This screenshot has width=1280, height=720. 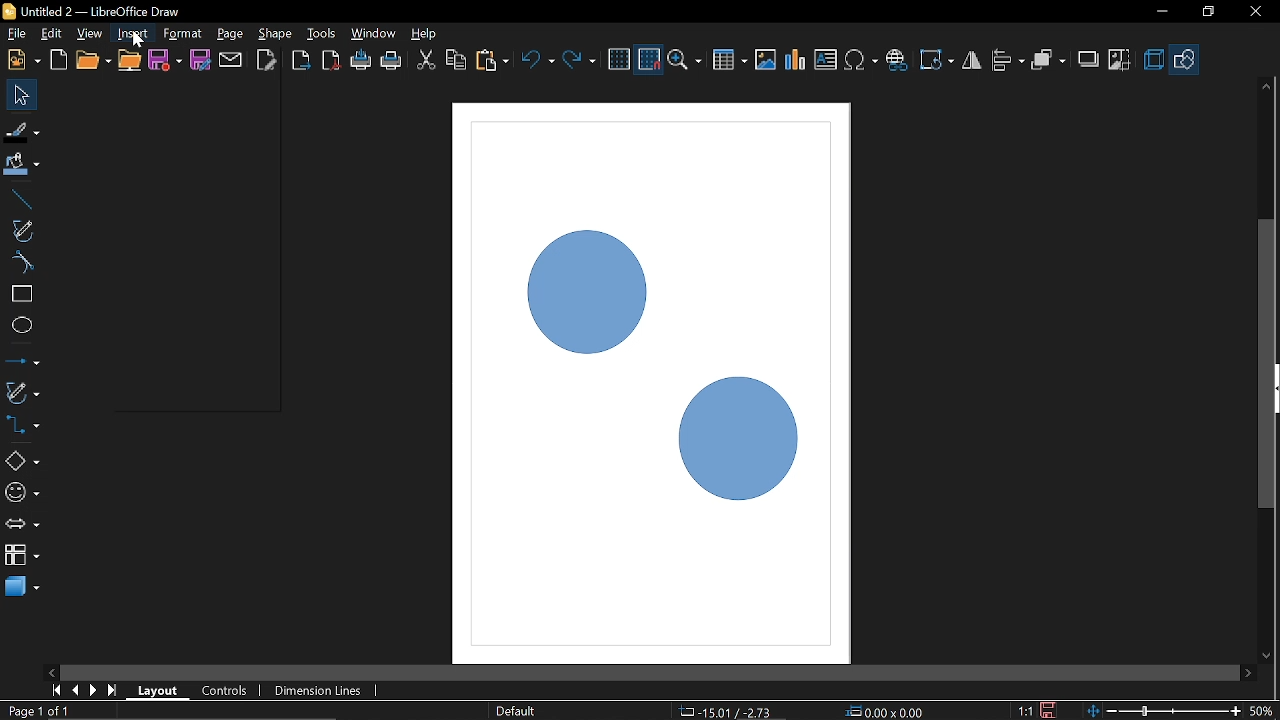 I want to click on MOve right, so click(x=1248, y=672).